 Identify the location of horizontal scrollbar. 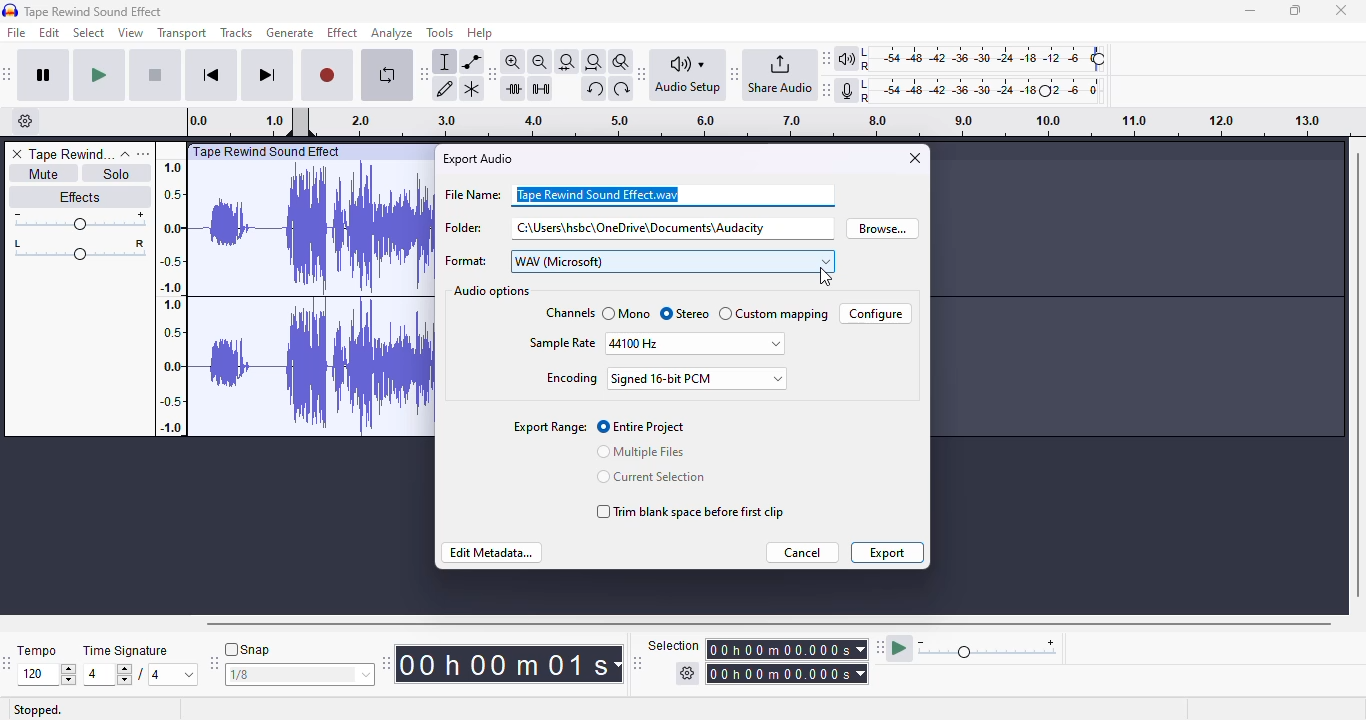
(769, 624).